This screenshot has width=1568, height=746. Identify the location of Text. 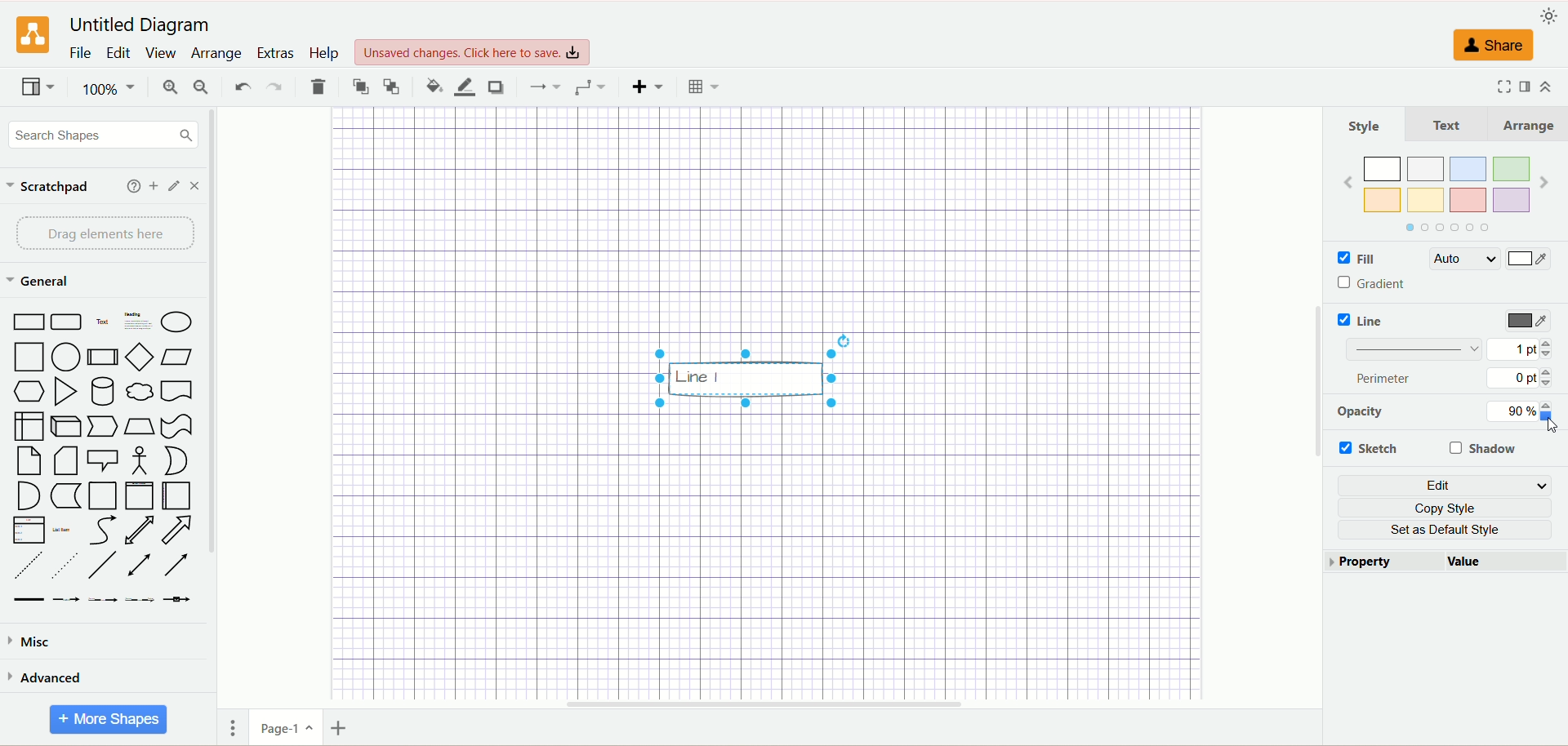
(1445, 123).